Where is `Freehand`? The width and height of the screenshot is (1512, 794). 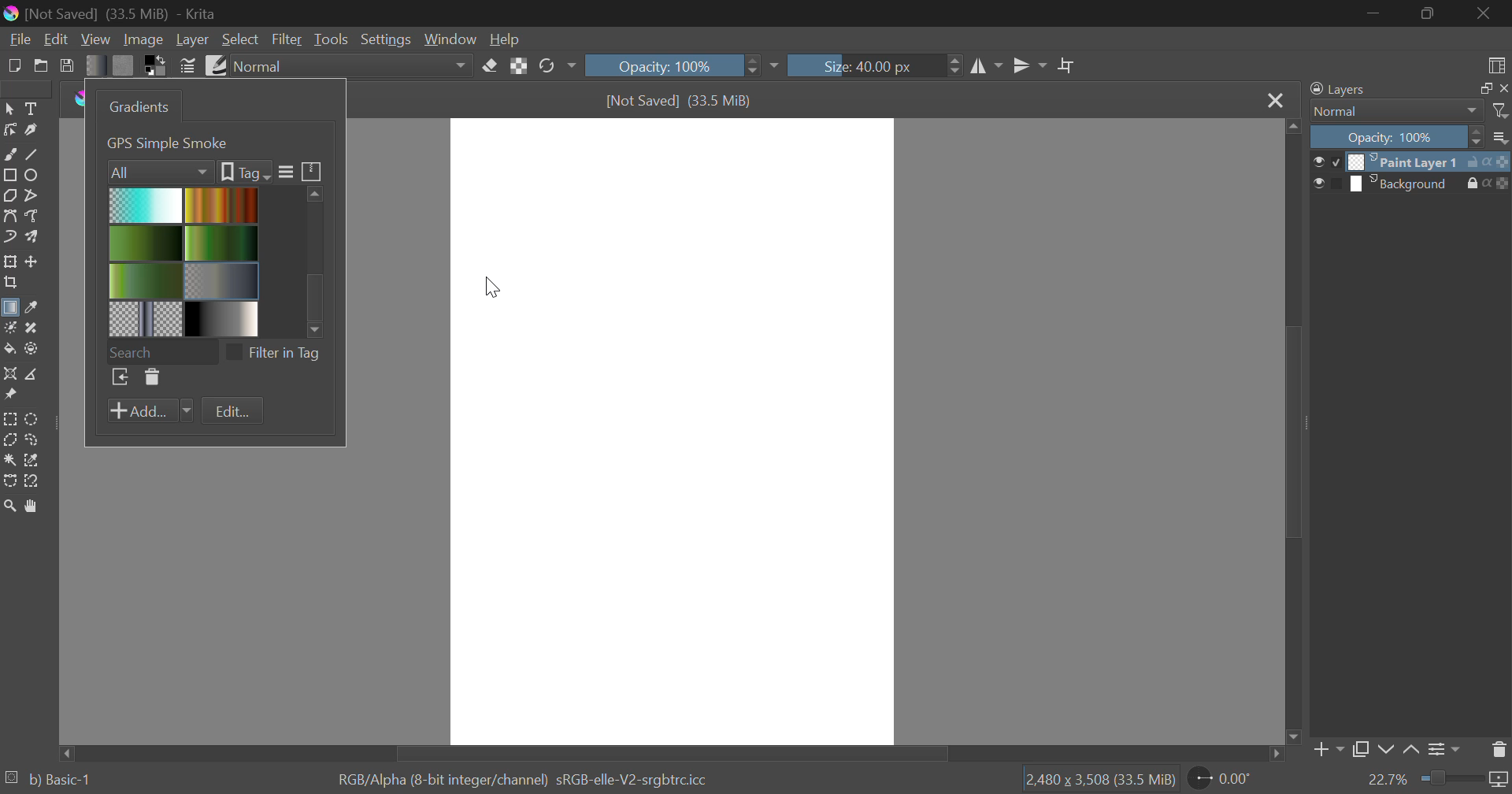 Freehand is located at coordinates (9, 153).